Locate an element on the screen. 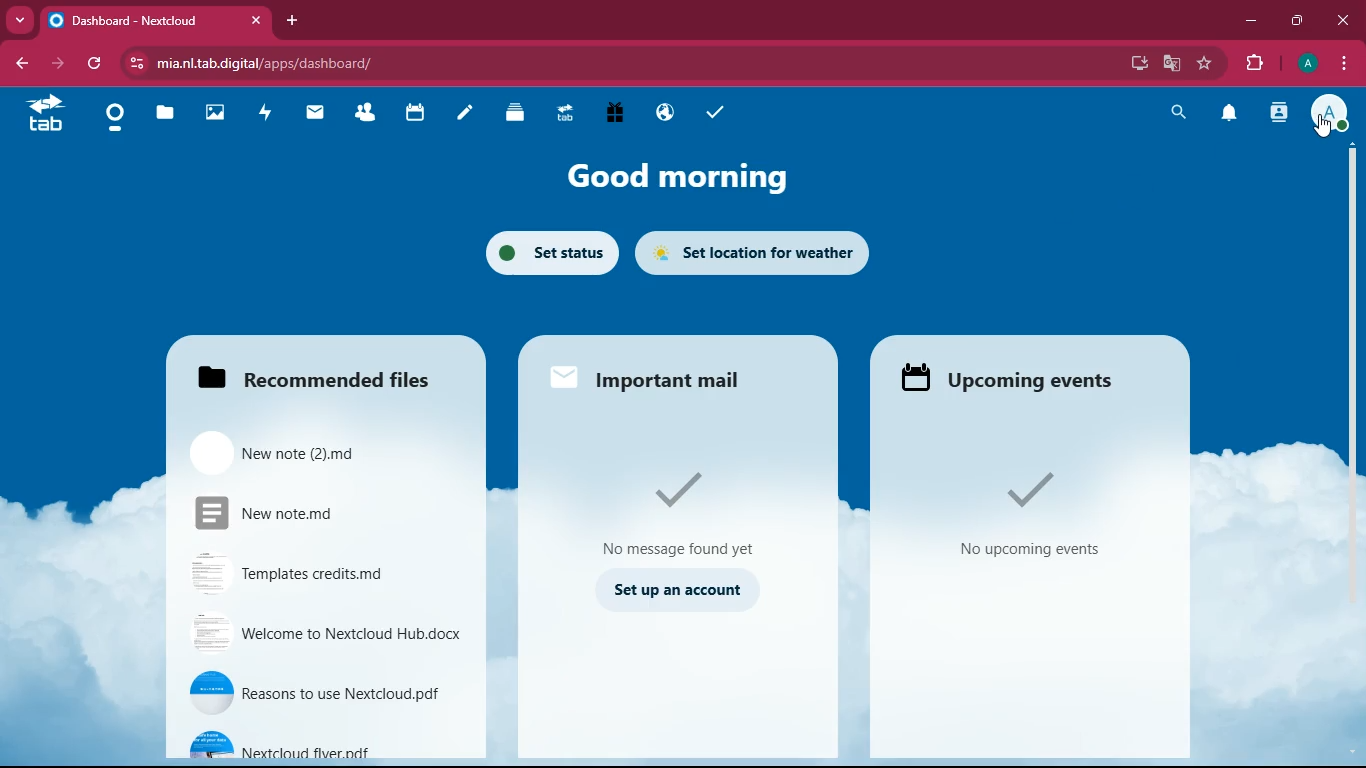  extensions is located at coordinates (1255, 66).